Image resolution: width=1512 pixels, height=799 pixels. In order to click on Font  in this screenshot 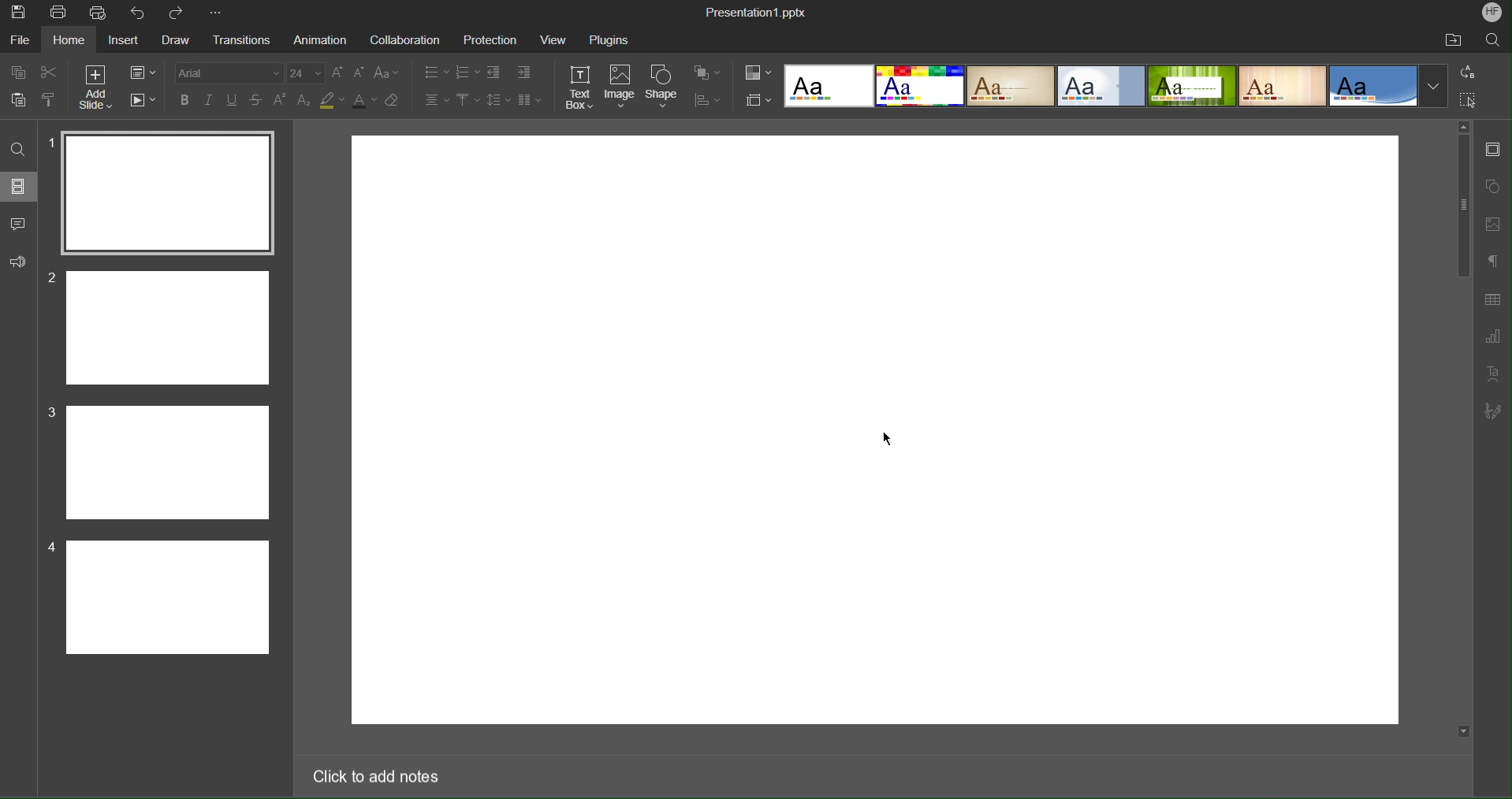, I will do `click(223, 71)`.